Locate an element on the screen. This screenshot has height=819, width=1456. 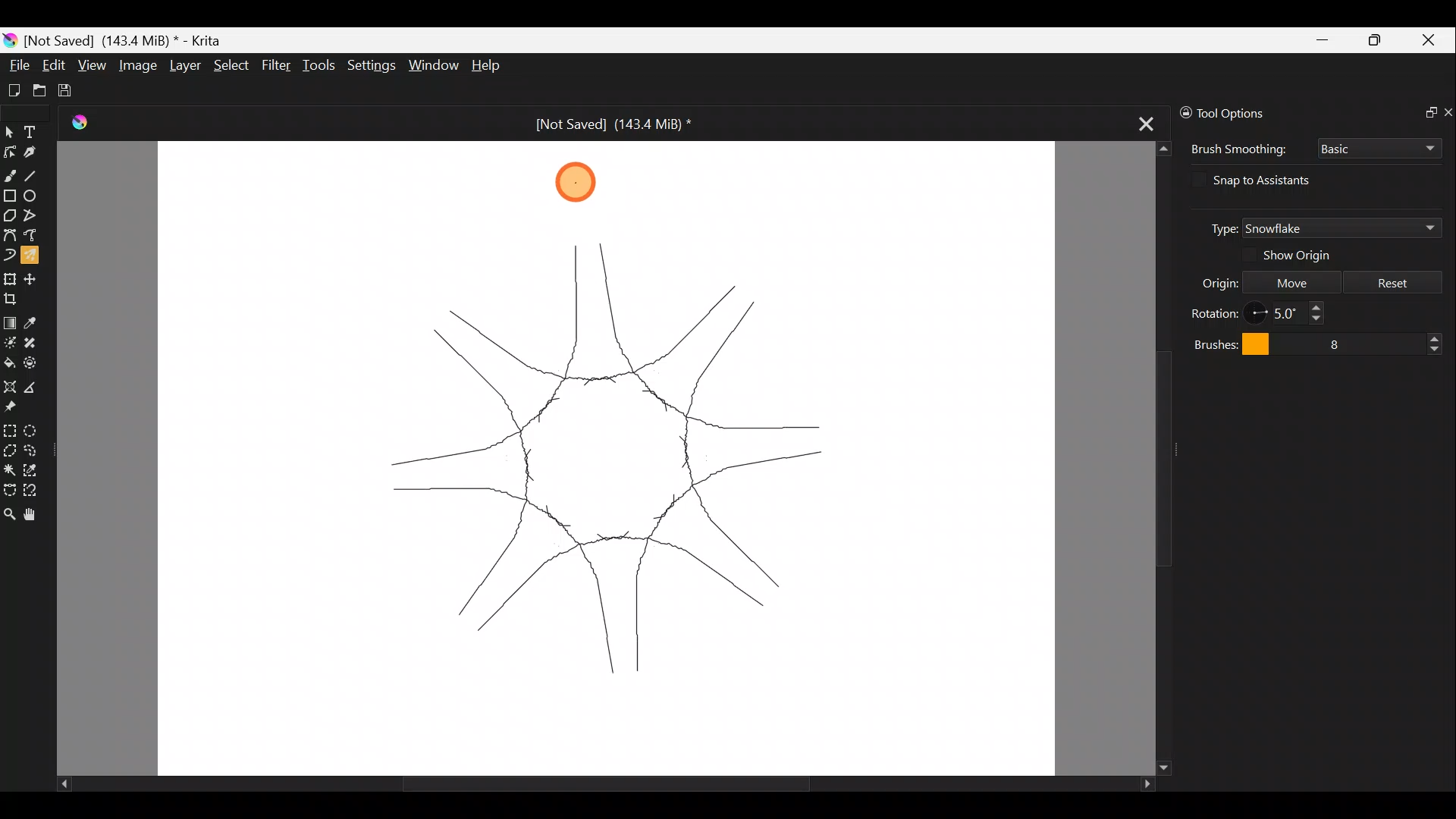
Transform a layer/selection is located at coordinates (10, 278).